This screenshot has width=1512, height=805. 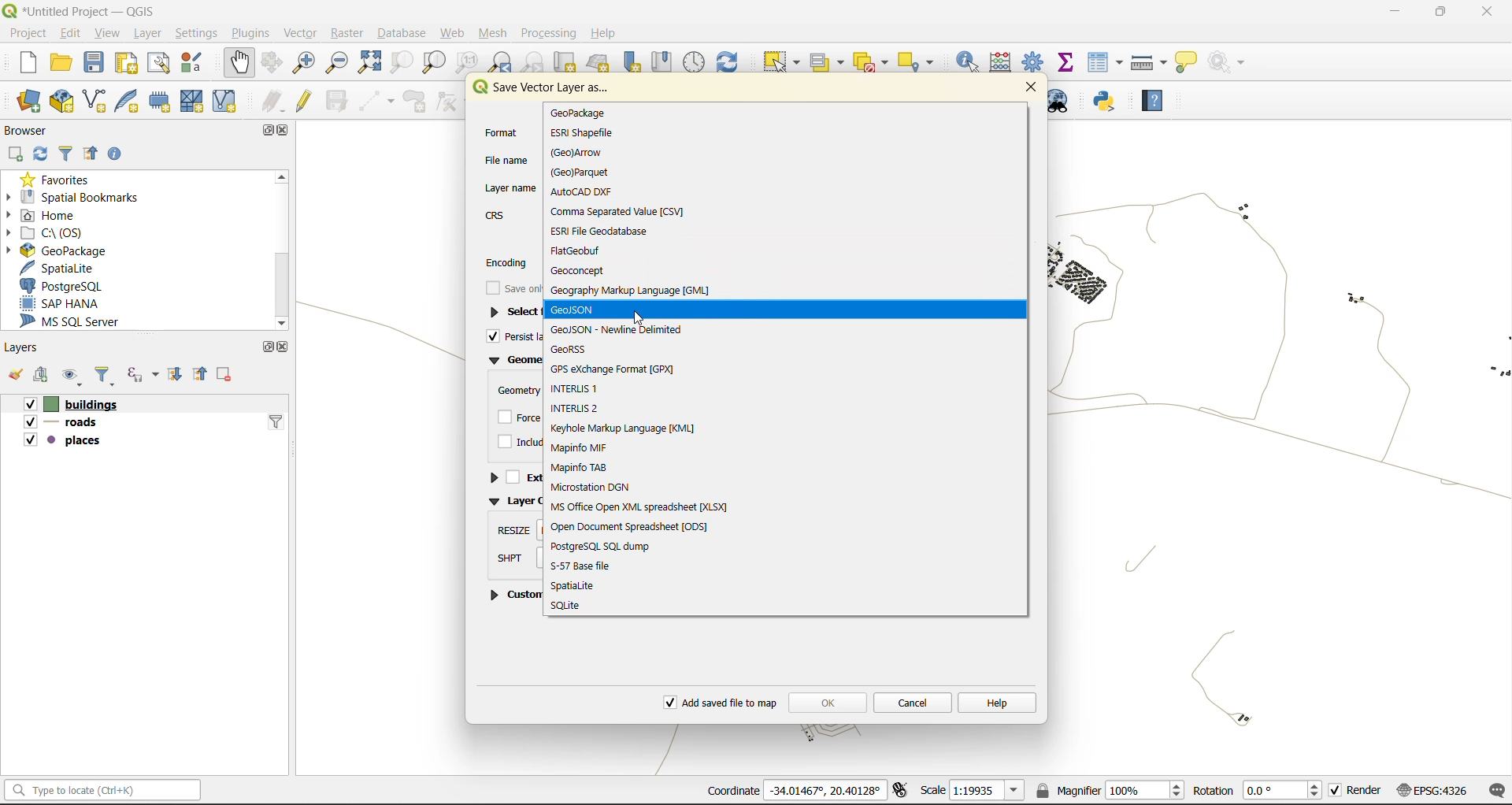 I want to click on coordinates, so click(x=799, y=792).